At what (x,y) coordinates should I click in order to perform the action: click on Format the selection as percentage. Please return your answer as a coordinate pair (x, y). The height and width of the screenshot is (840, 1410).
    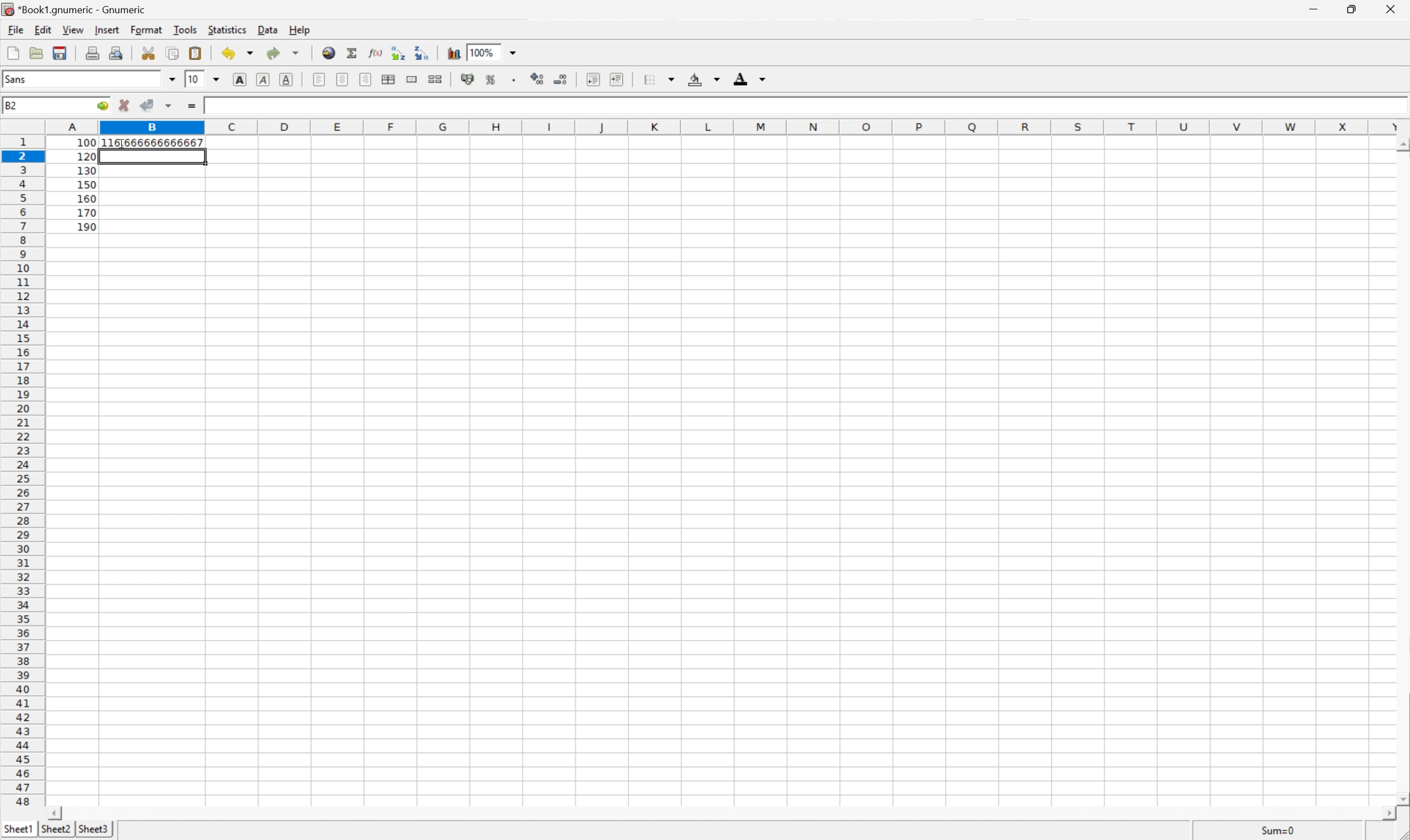
    Looking at the image, I should click on (493, 79).